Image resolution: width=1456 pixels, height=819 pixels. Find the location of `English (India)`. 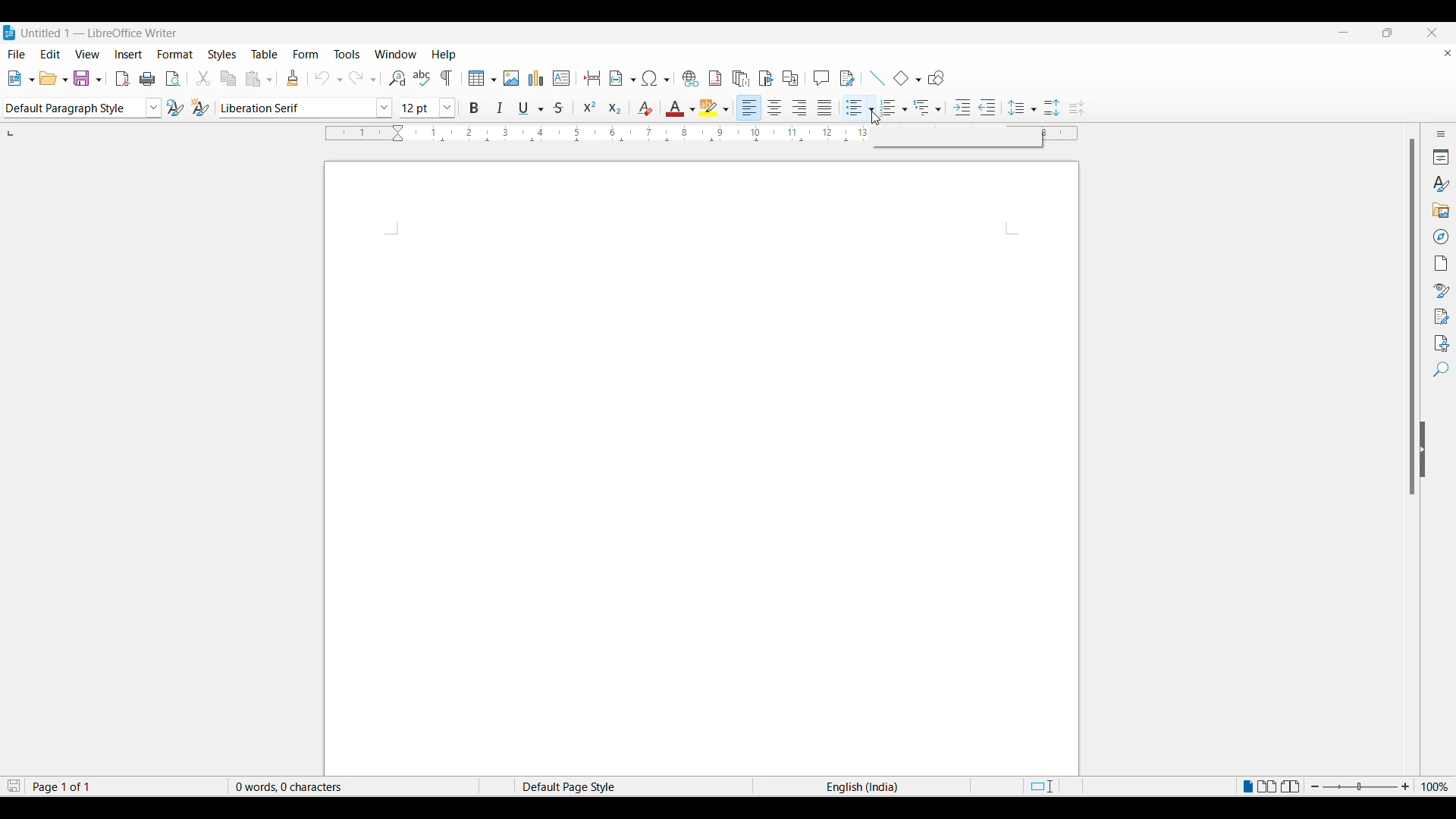

English (India) is located at coordinates (864, 786).